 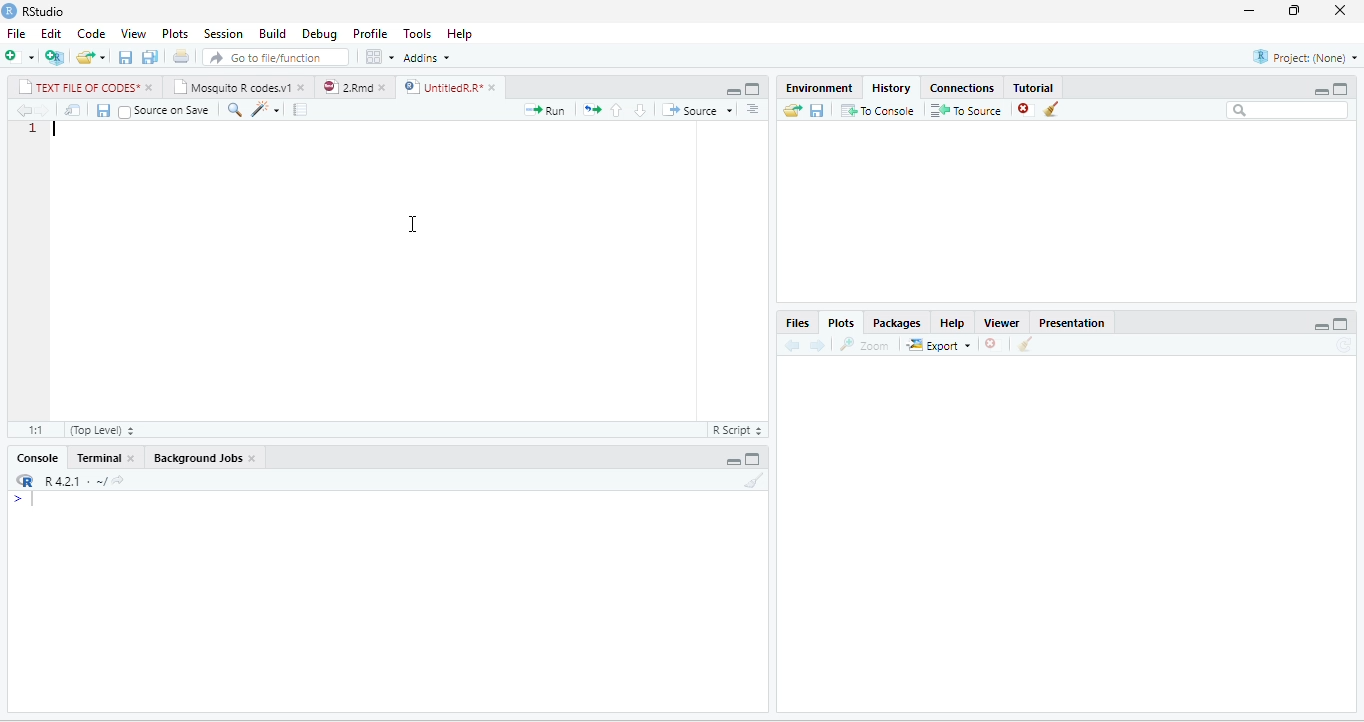 I want to click on Profile, so click(x=371, y=35).